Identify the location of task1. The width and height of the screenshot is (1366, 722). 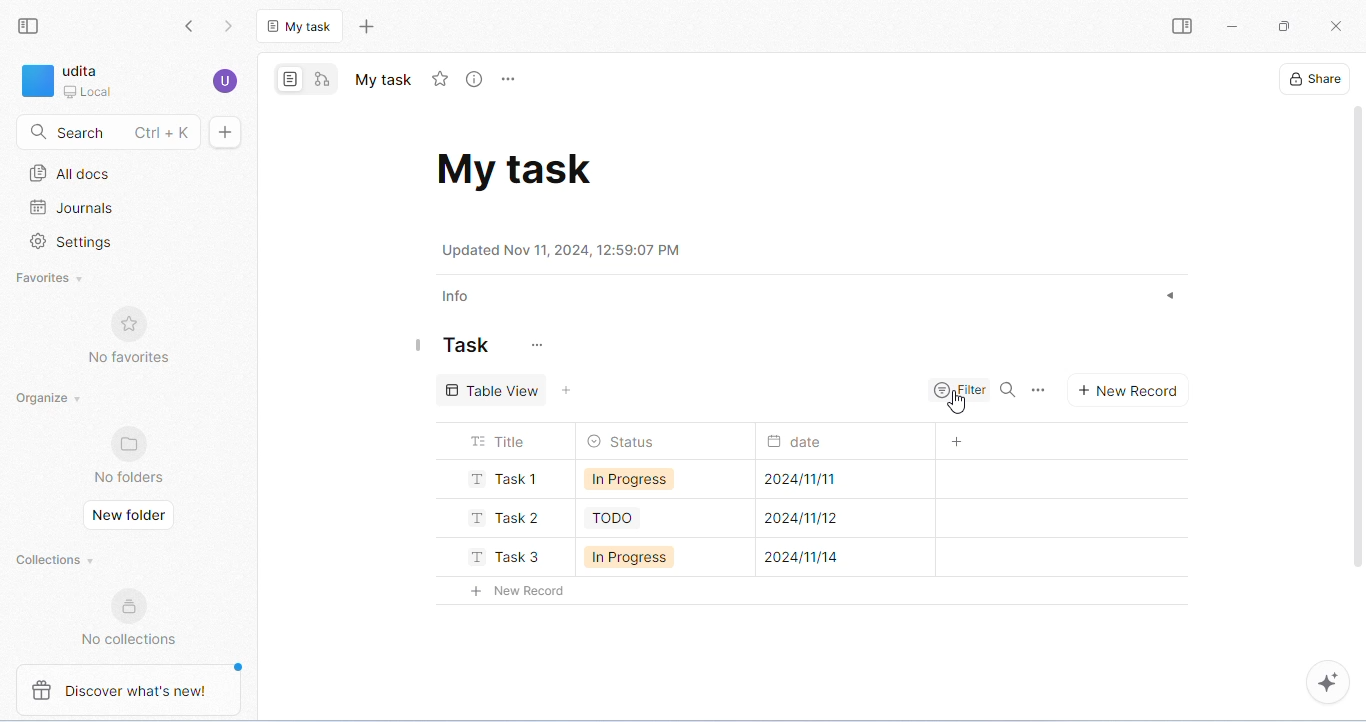
(503, 478).